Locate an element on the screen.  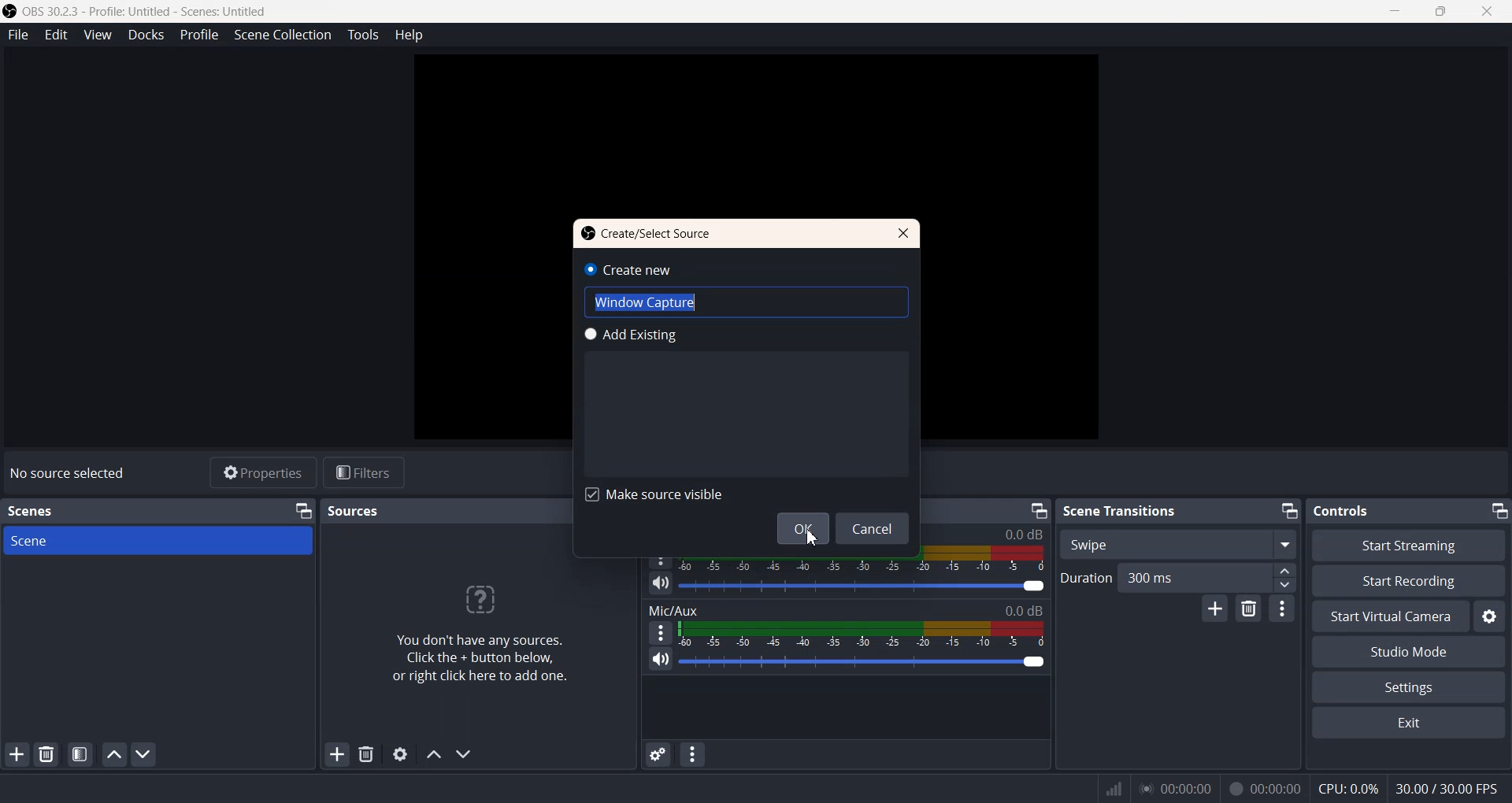
Volume Adjuster is located at coordinates (862, 586).